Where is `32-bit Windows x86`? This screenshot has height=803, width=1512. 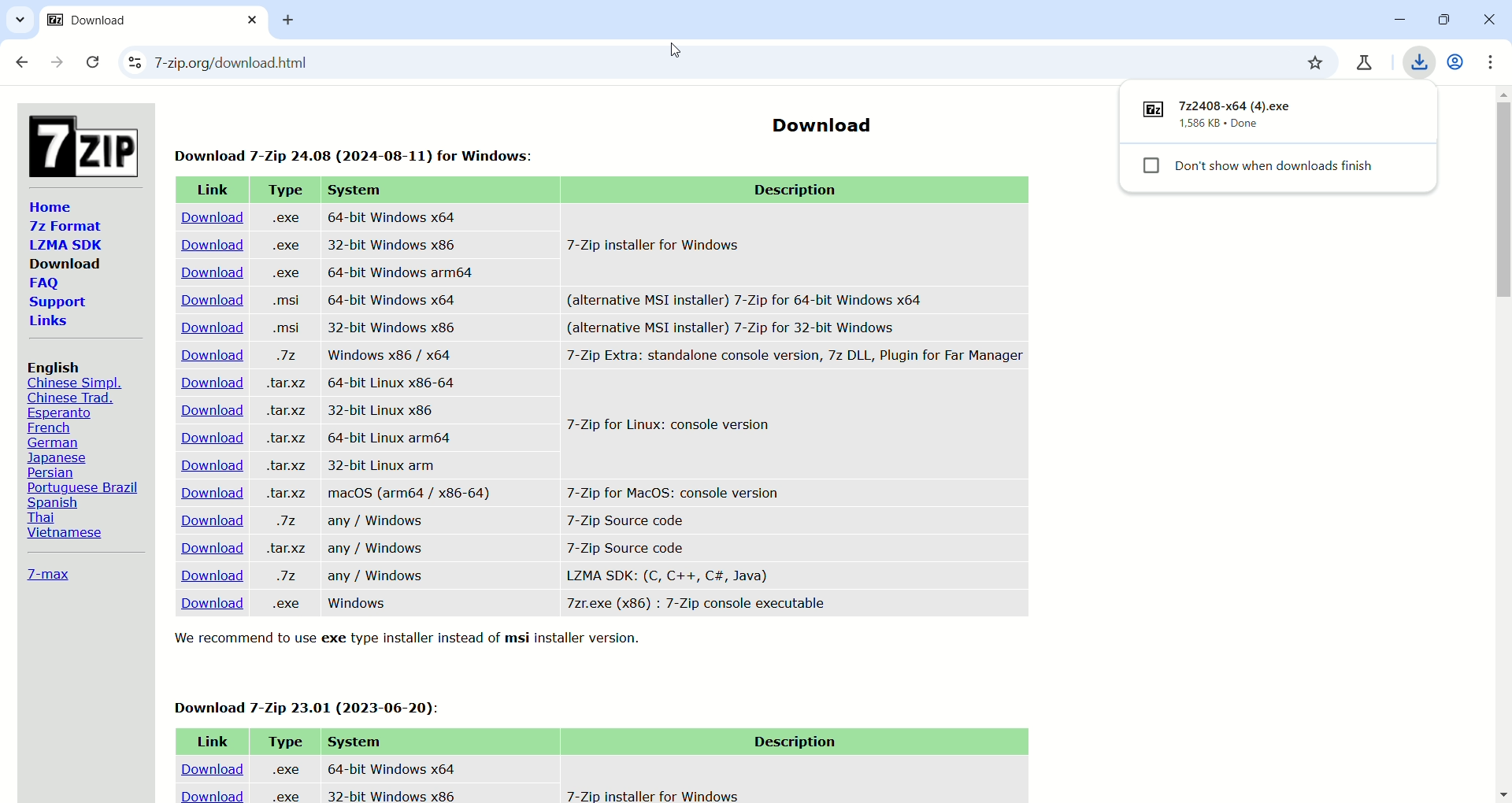
32-bit Windows x86 is located at coordinates (395, 327).